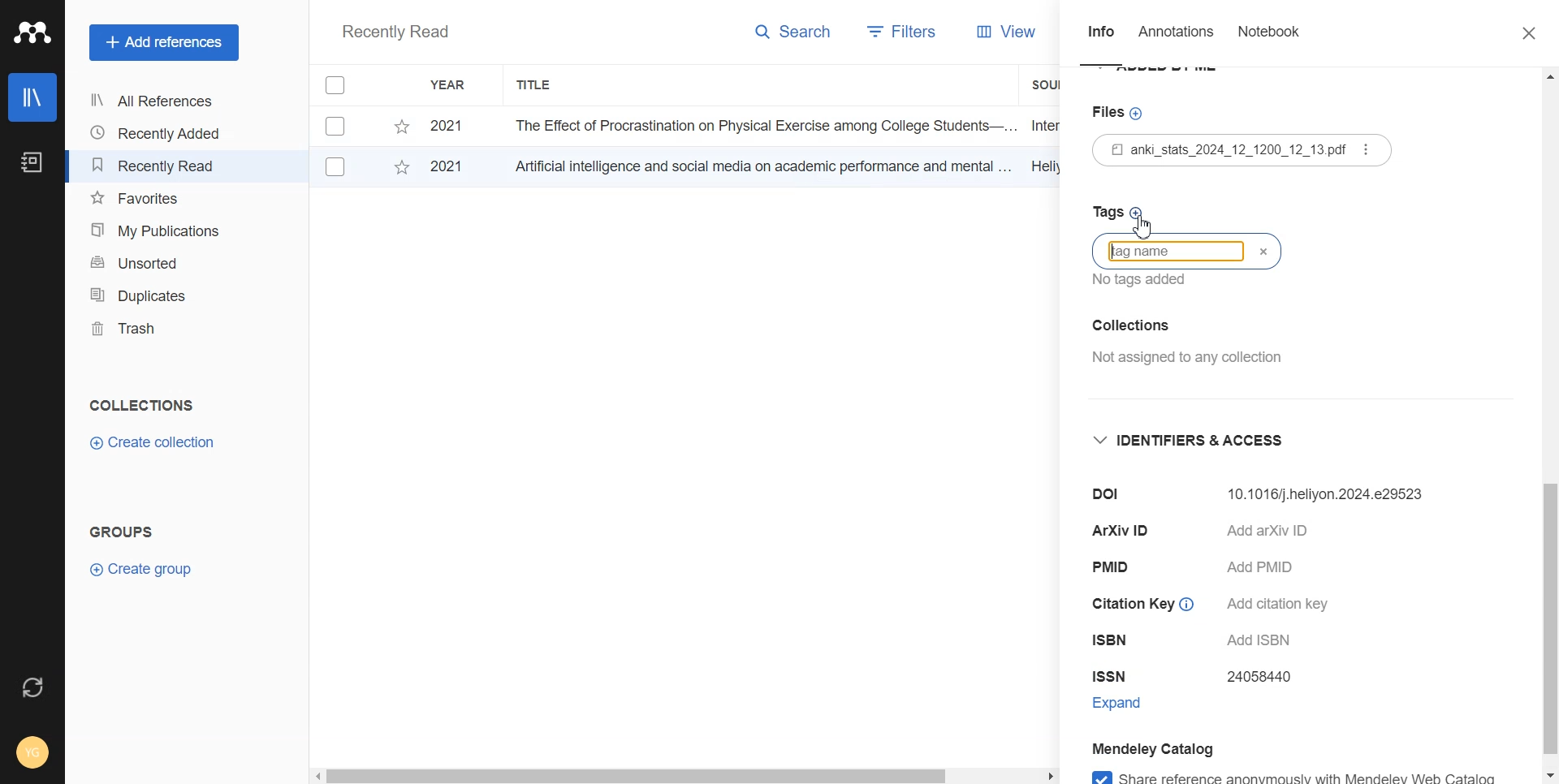  I want to click on Close , so click(1521, 34).